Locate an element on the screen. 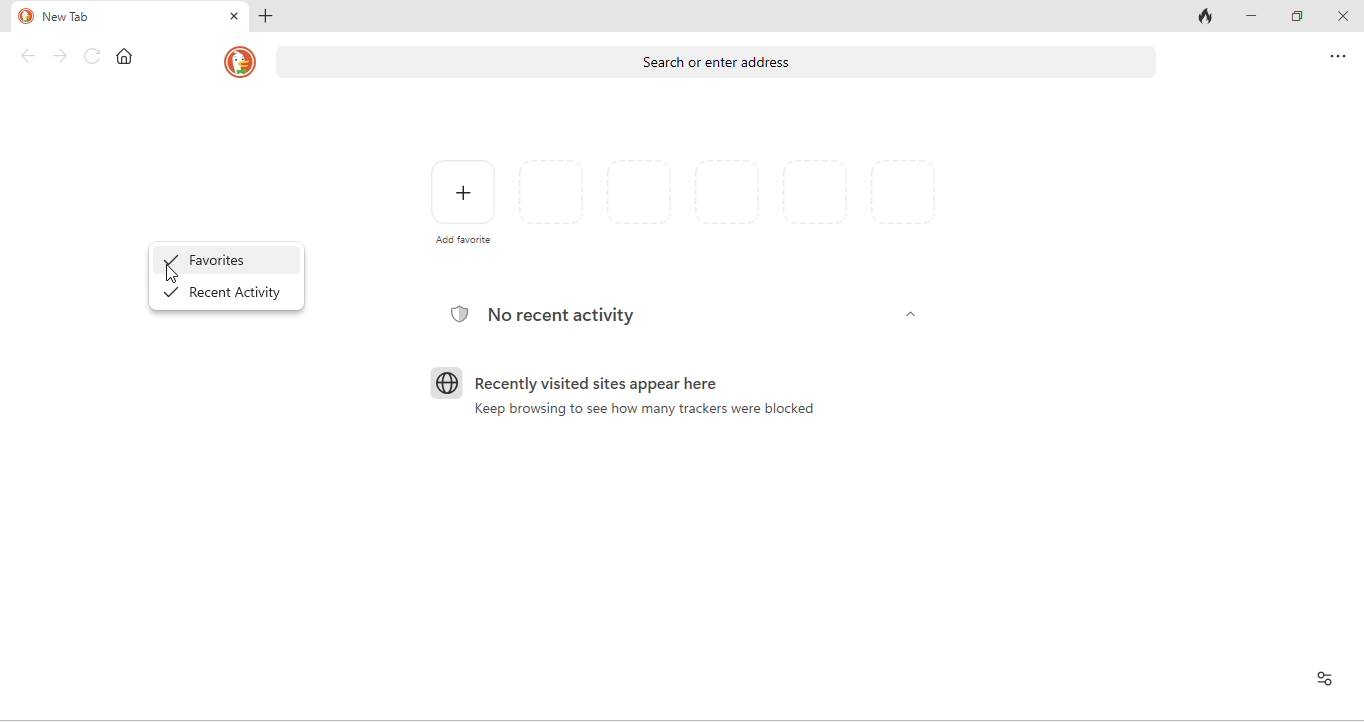  checkbox enable is located at coordinates (173, 292).